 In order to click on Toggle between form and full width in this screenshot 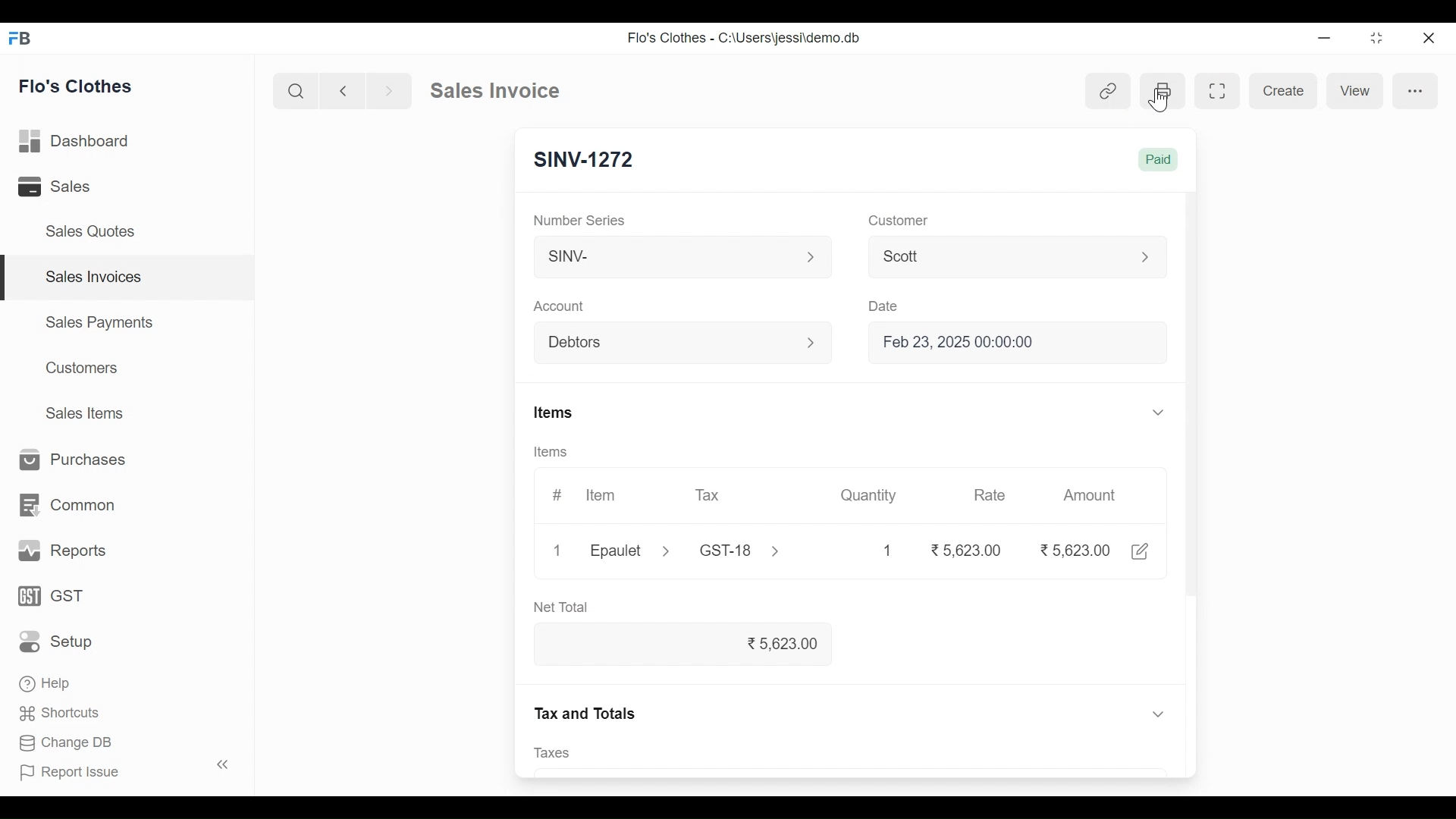, I will do `click(1217, 92)`.